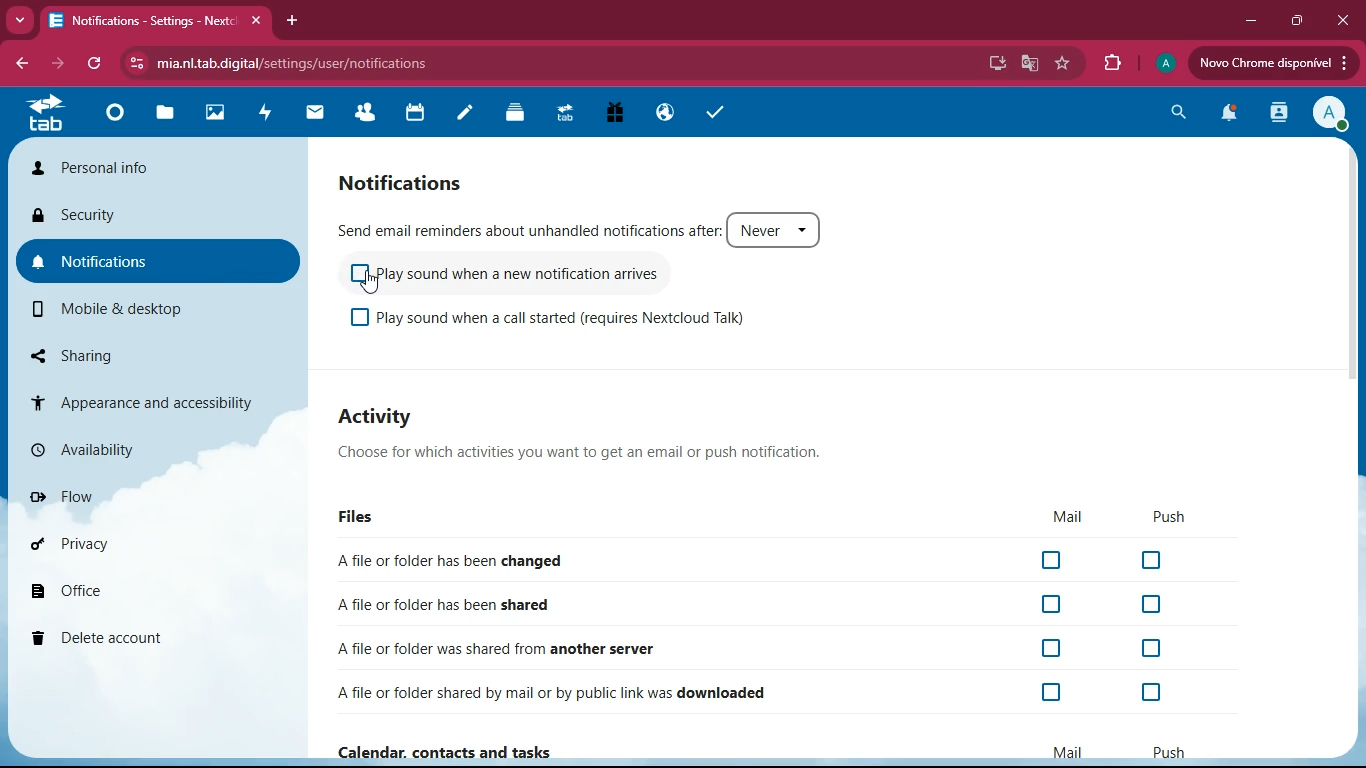 This screenshot has height=768, width=1366. What do you see at coordinates (420, 182) in the screenshot?
I see `notification` at bounding box center [420, 182].